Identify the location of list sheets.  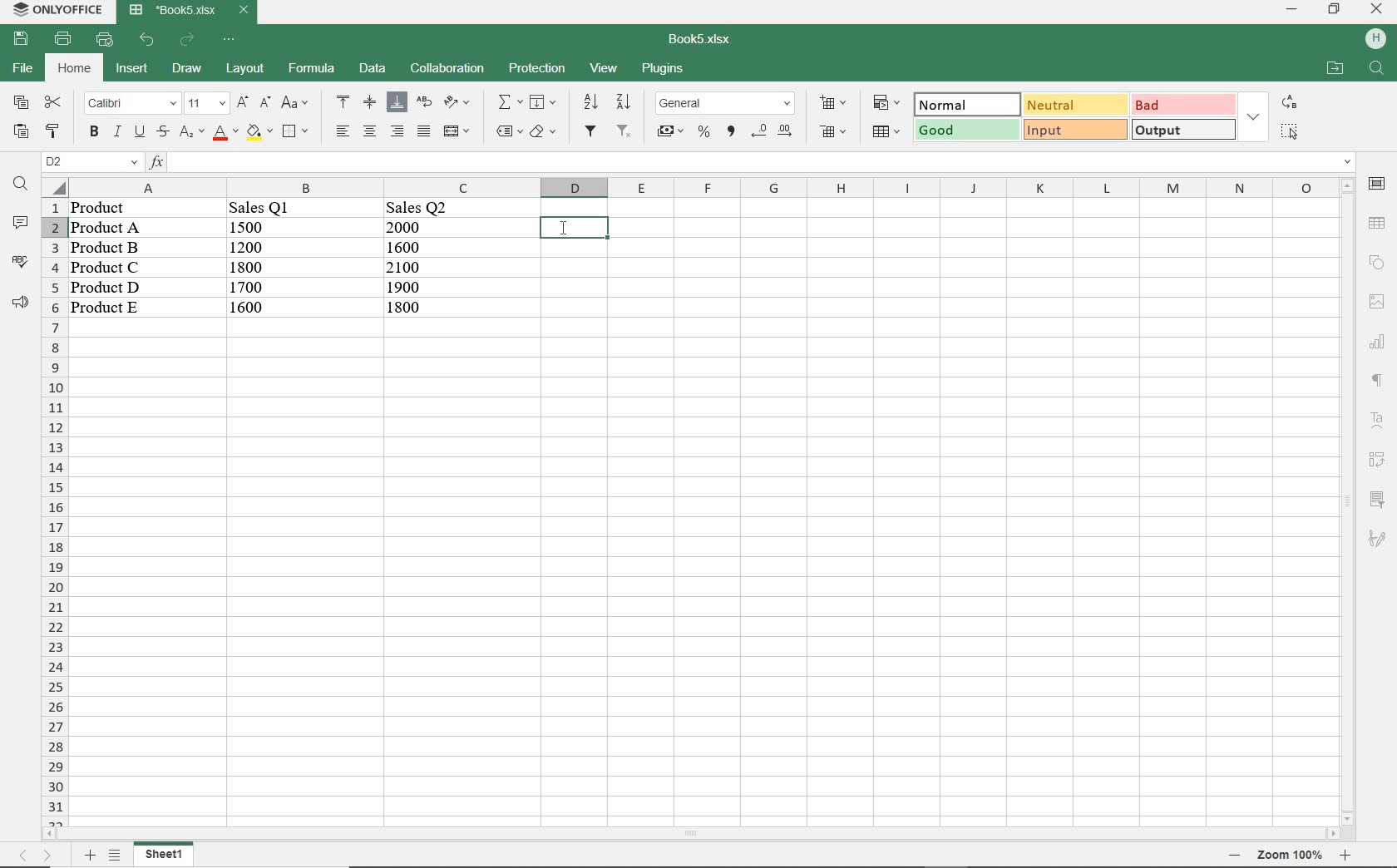
(117, 856).